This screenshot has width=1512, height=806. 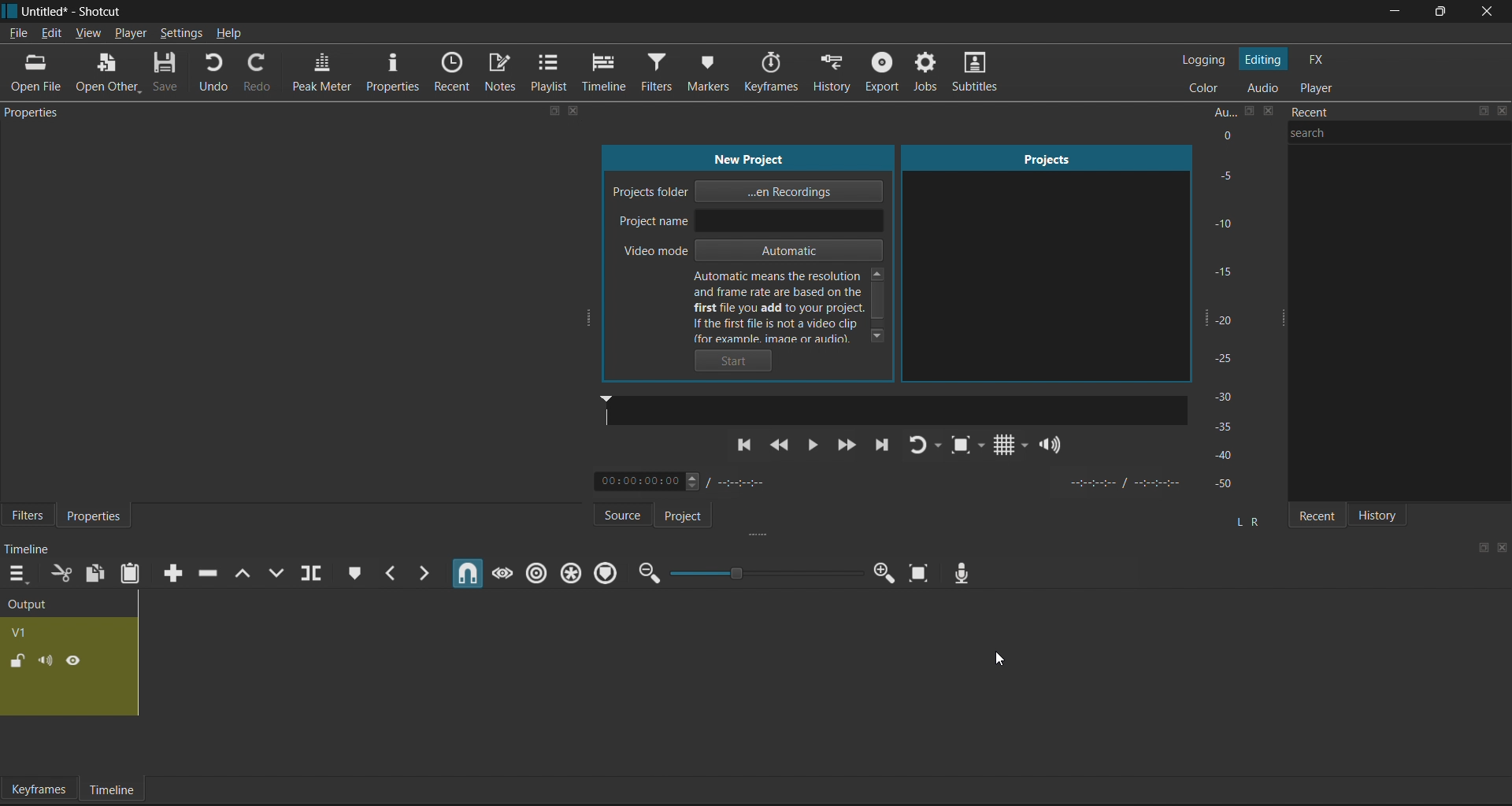 I want to click on Zoom timeline to fit, so click(x=918, y=578).